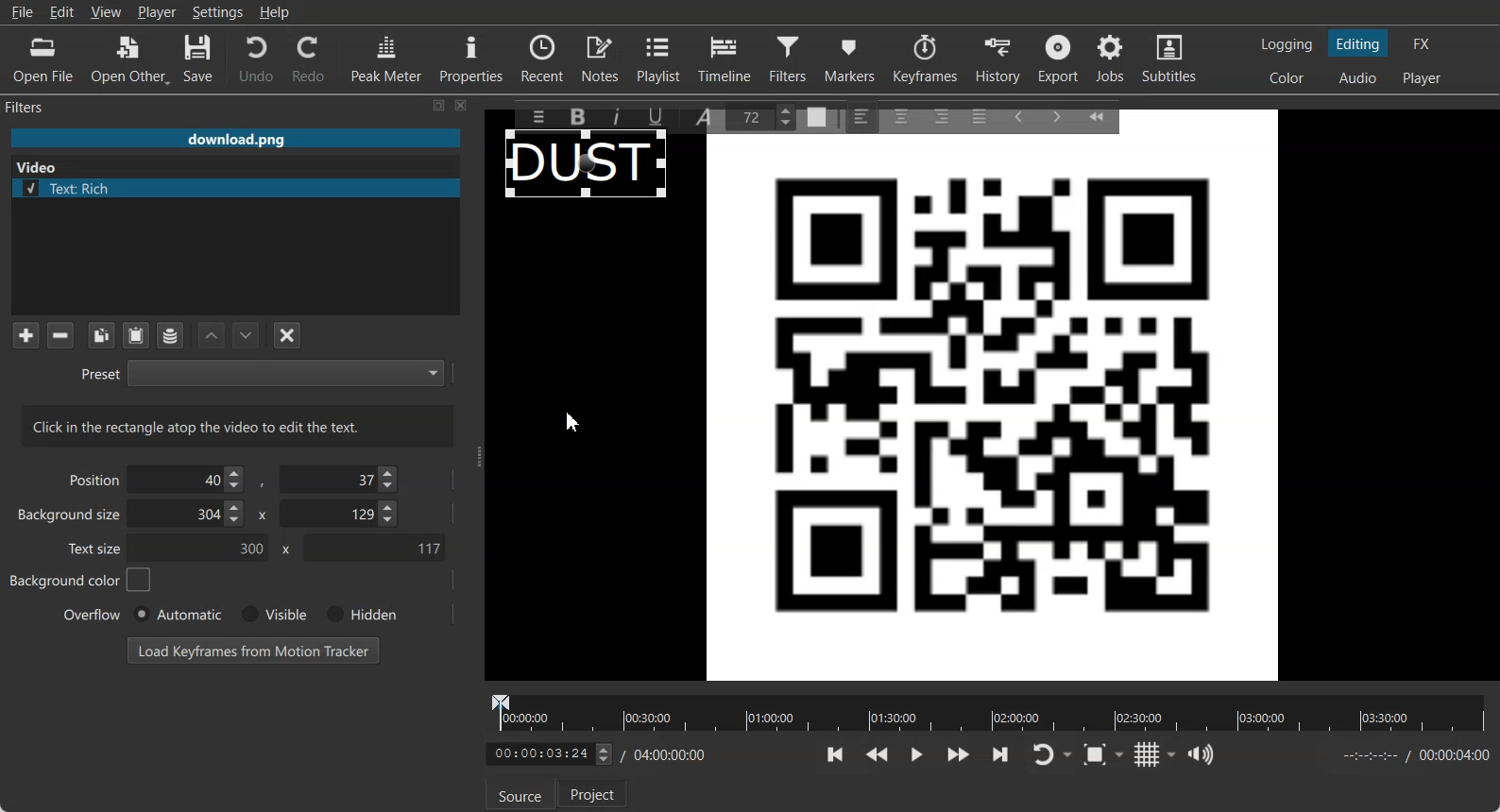 This screenshot has width=1500, height=812. I want to click on Left, so click(862, 115).